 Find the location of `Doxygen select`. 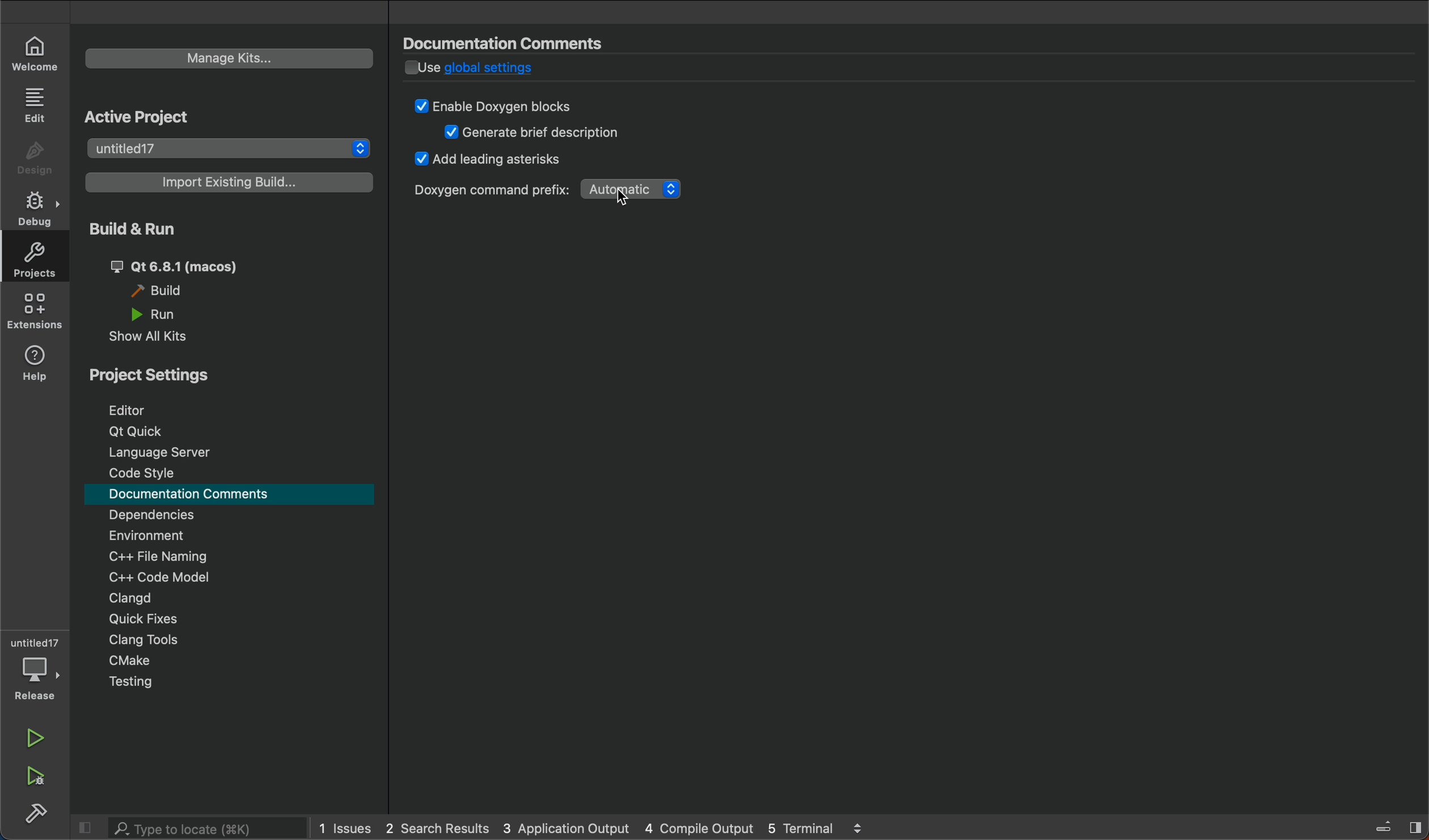

Doxygen select is located at coordinates (549, 190).